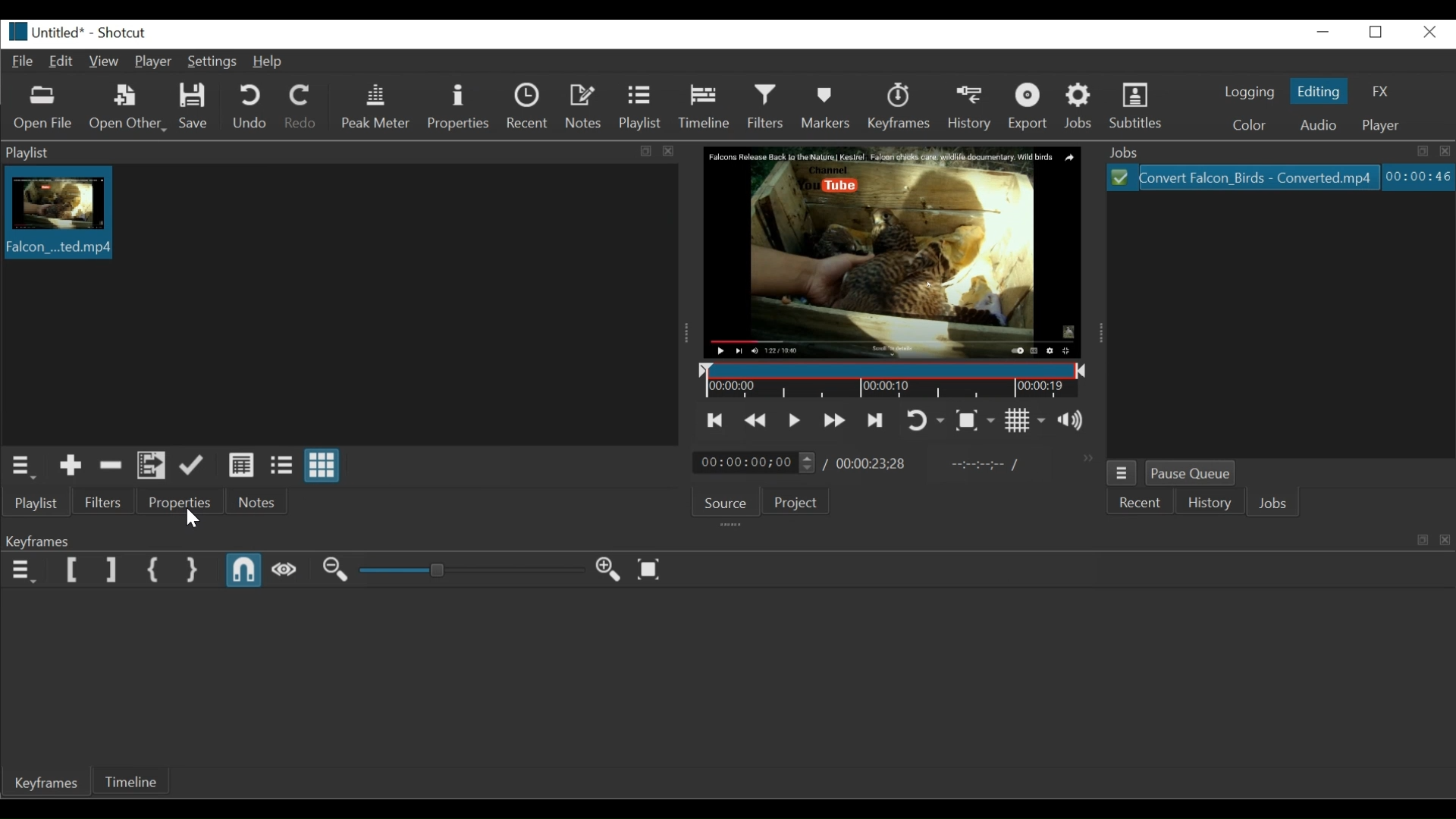 The height and width of the screenshot is (819, 1456). I want to click on Zoom keyframe to fit, so click(651, 570).